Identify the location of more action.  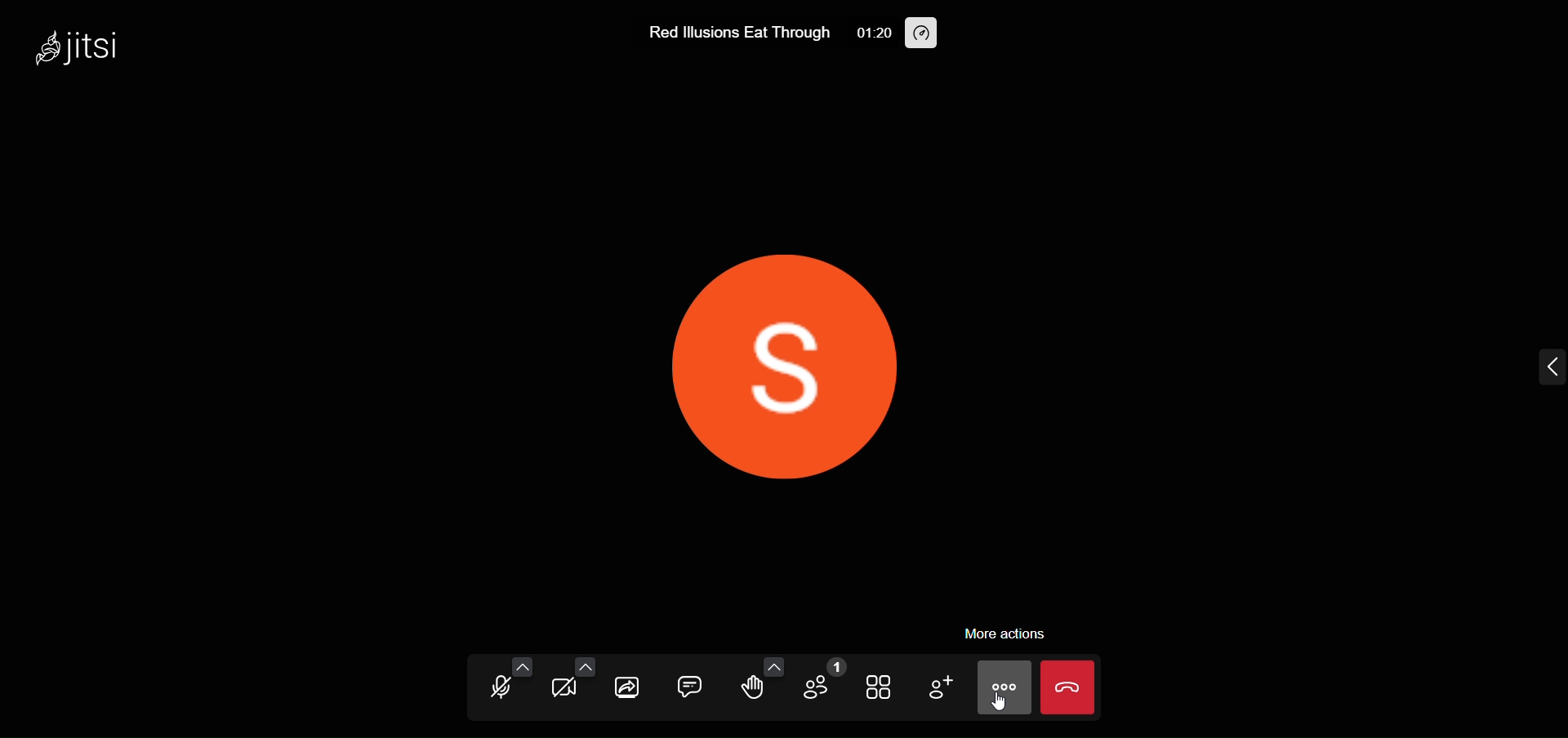
(1004, 634).